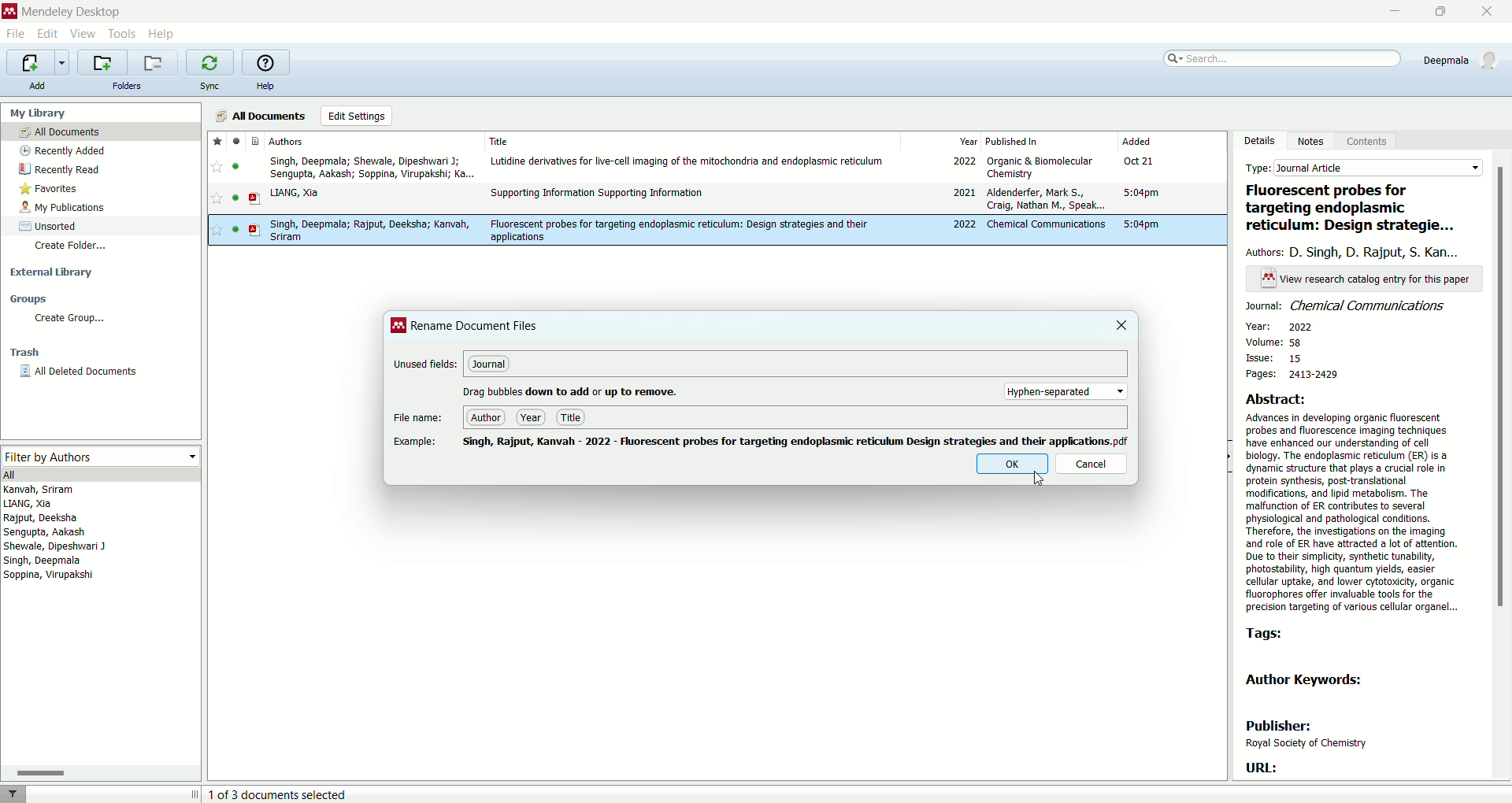  Describe the element at coordinates (962, 162) in the screenshot. I see `2022` at that location.